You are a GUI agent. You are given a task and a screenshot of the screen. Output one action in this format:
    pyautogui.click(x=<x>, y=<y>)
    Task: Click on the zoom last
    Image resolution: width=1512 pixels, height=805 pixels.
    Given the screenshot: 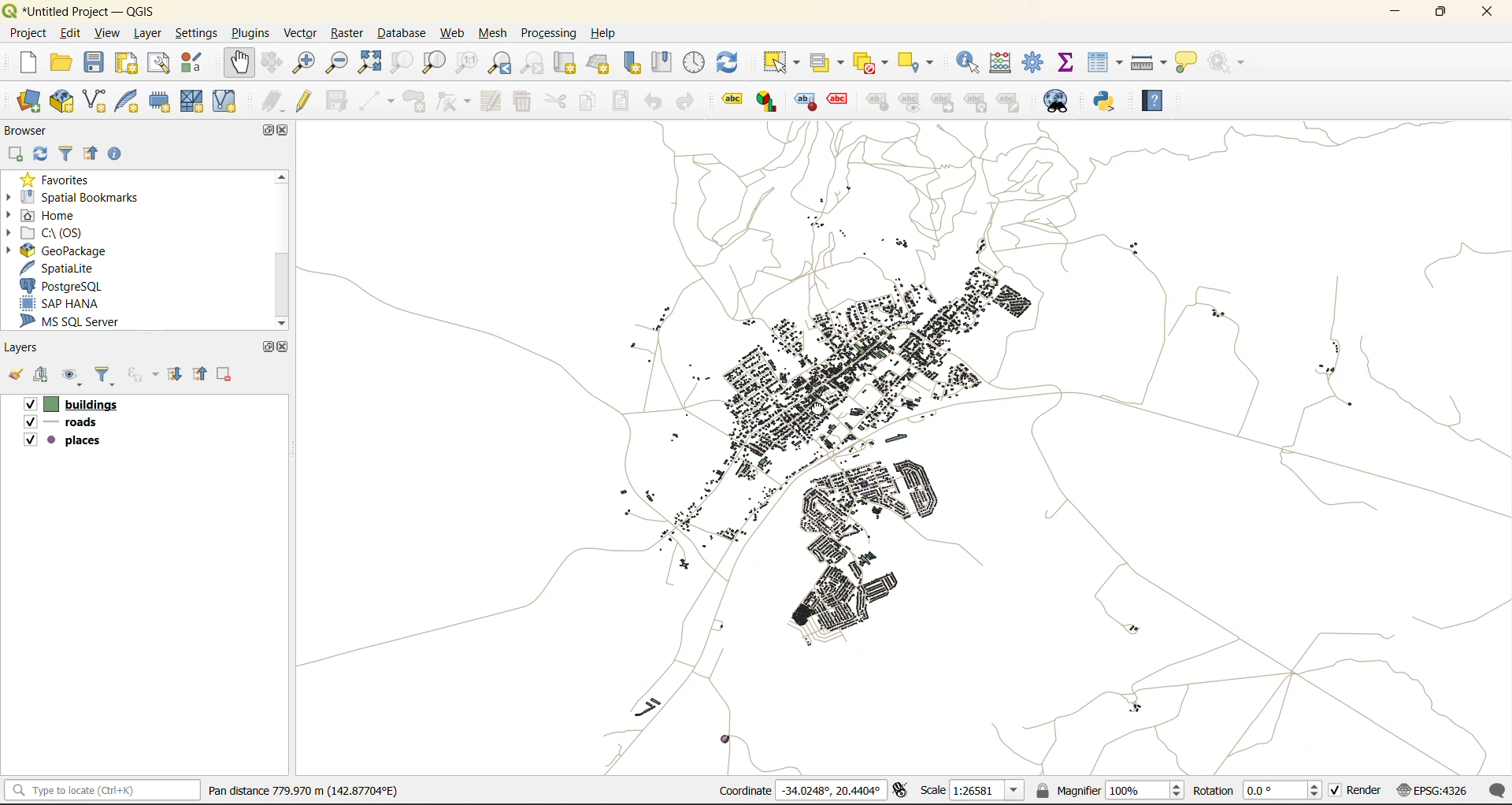 What is the action you would take?
    pyautogui.click(x=499, y=65)
    